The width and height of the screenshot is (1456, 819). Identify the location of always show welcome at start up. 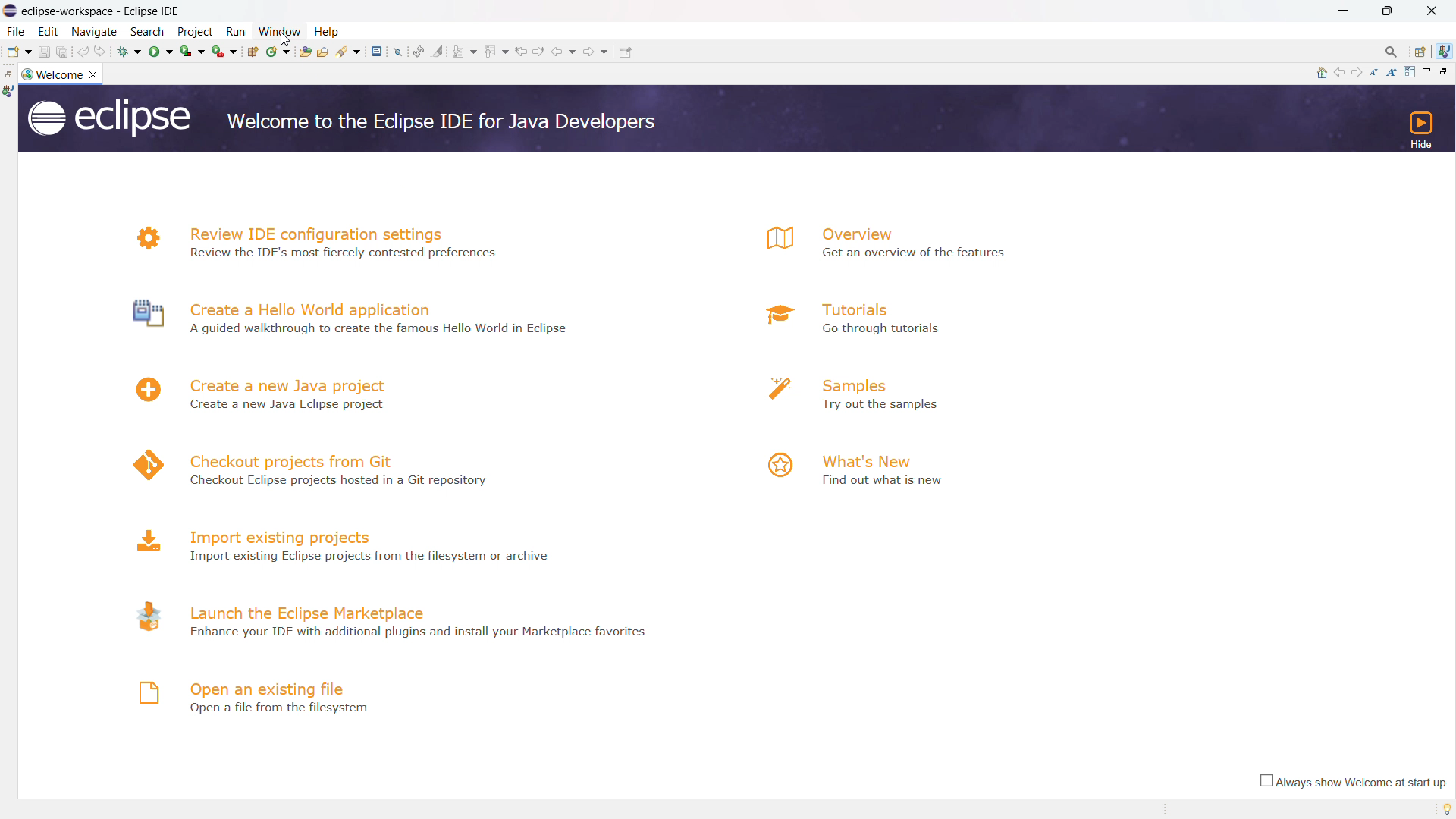
(1350, 782).